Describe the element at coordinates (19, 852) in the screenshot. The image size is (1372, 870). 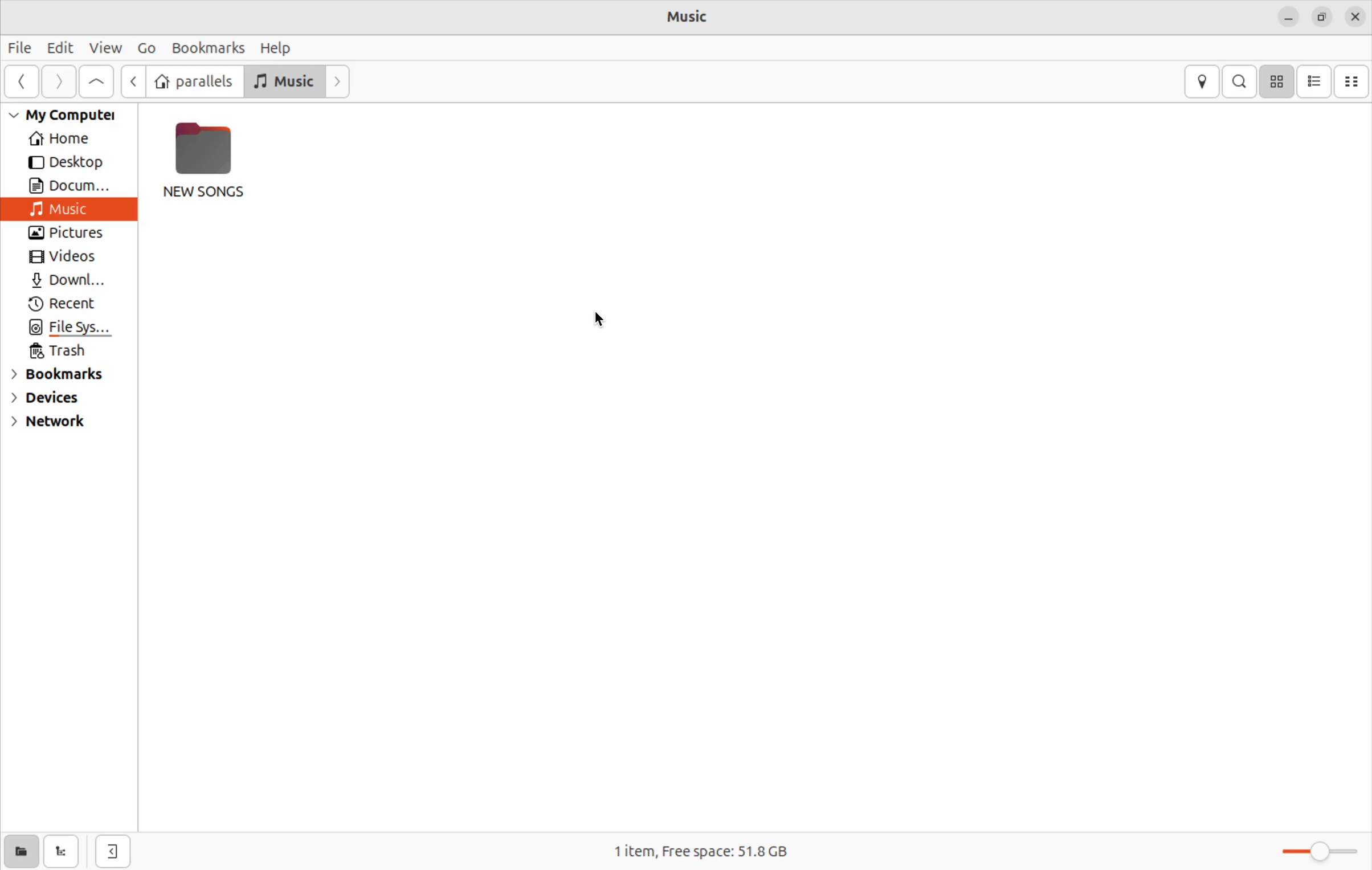
I see `Show places` at that location.